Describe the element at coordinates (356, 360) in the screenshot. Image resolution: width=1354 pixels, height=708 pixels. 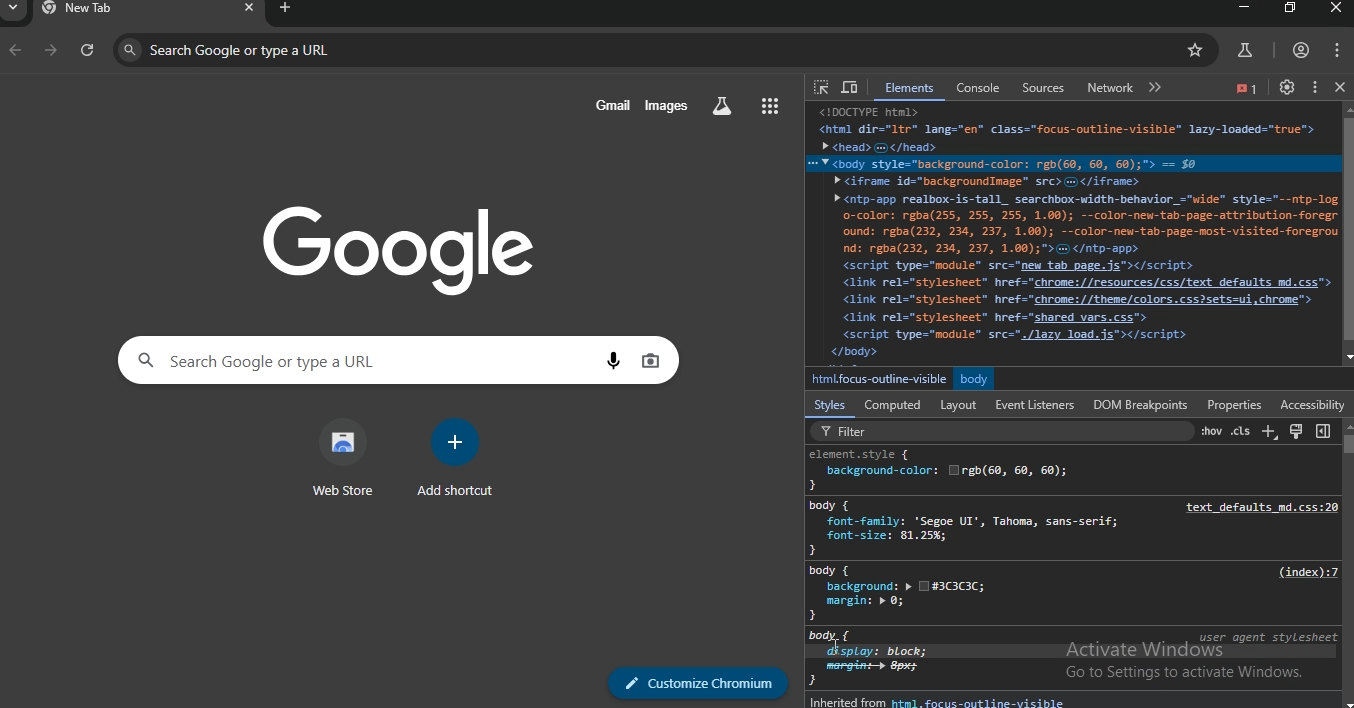
I see `search google or type a URL` at that location.